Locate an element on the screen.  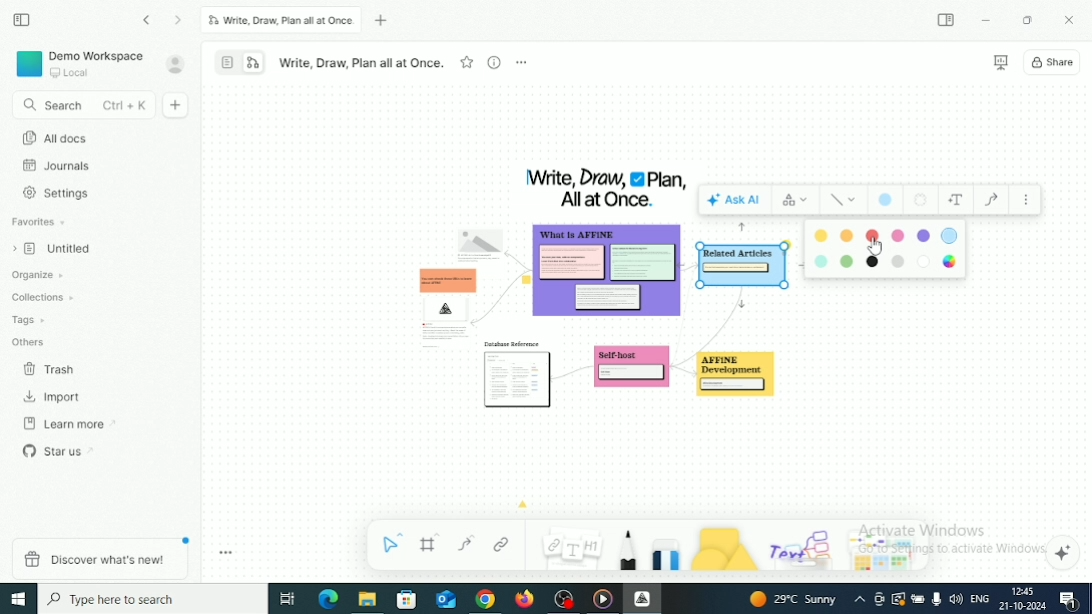
Close is located at coordinates (1070, 19).